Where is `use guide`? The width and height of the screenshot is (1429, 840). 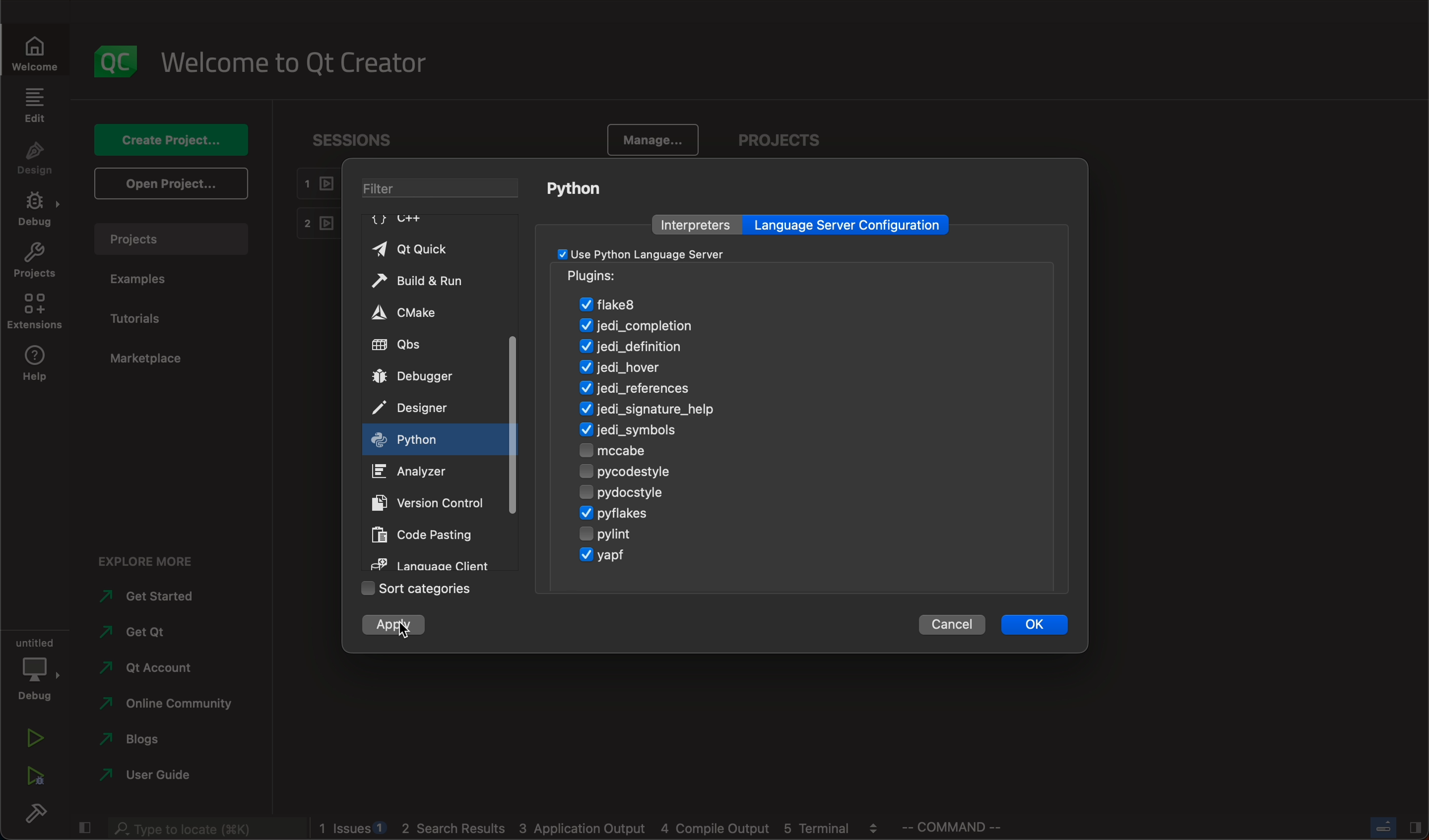
use guide is located at coordinates (148, 776).